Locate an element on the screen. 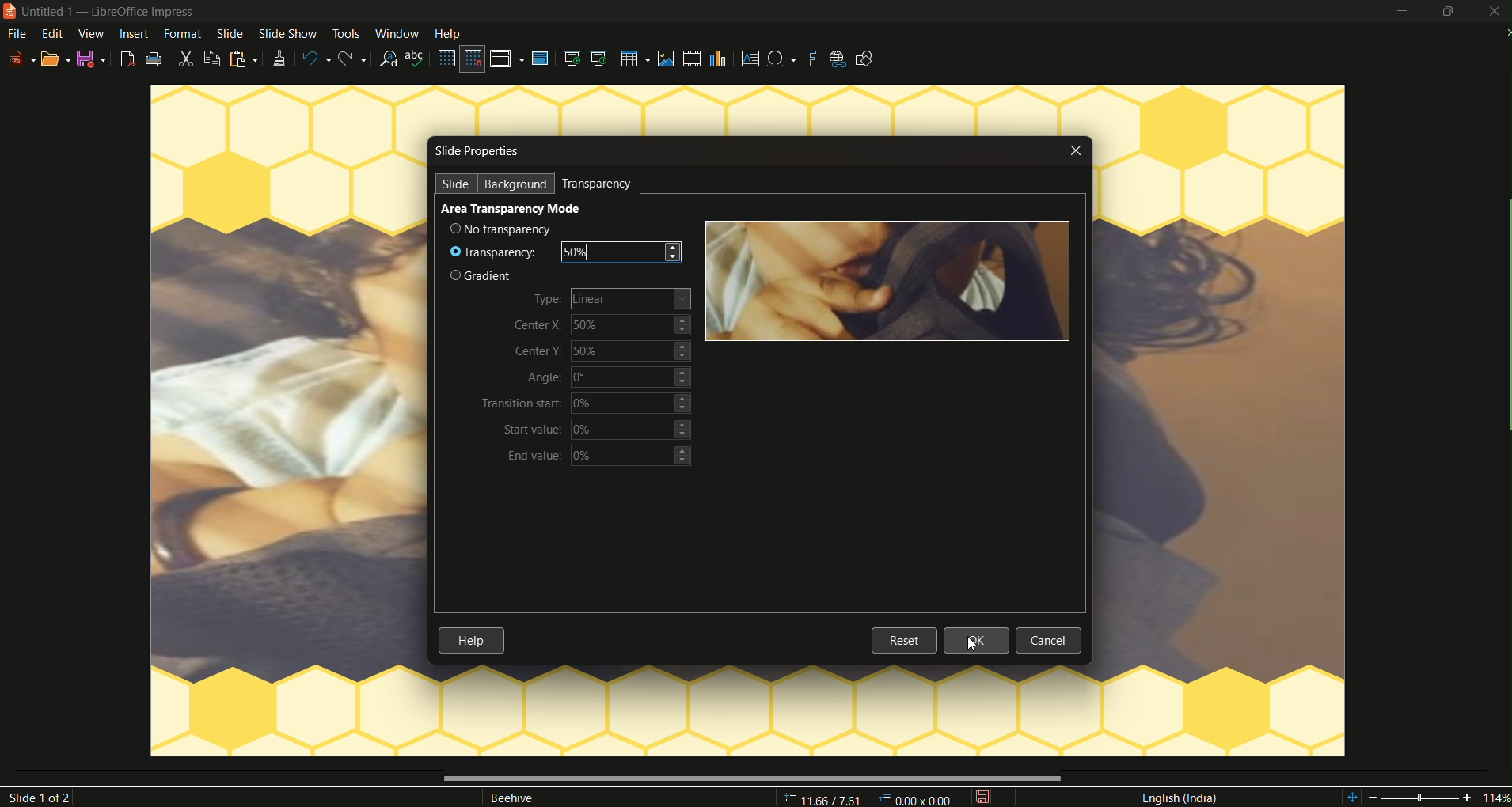  center X is located at coordinates (540, 325).